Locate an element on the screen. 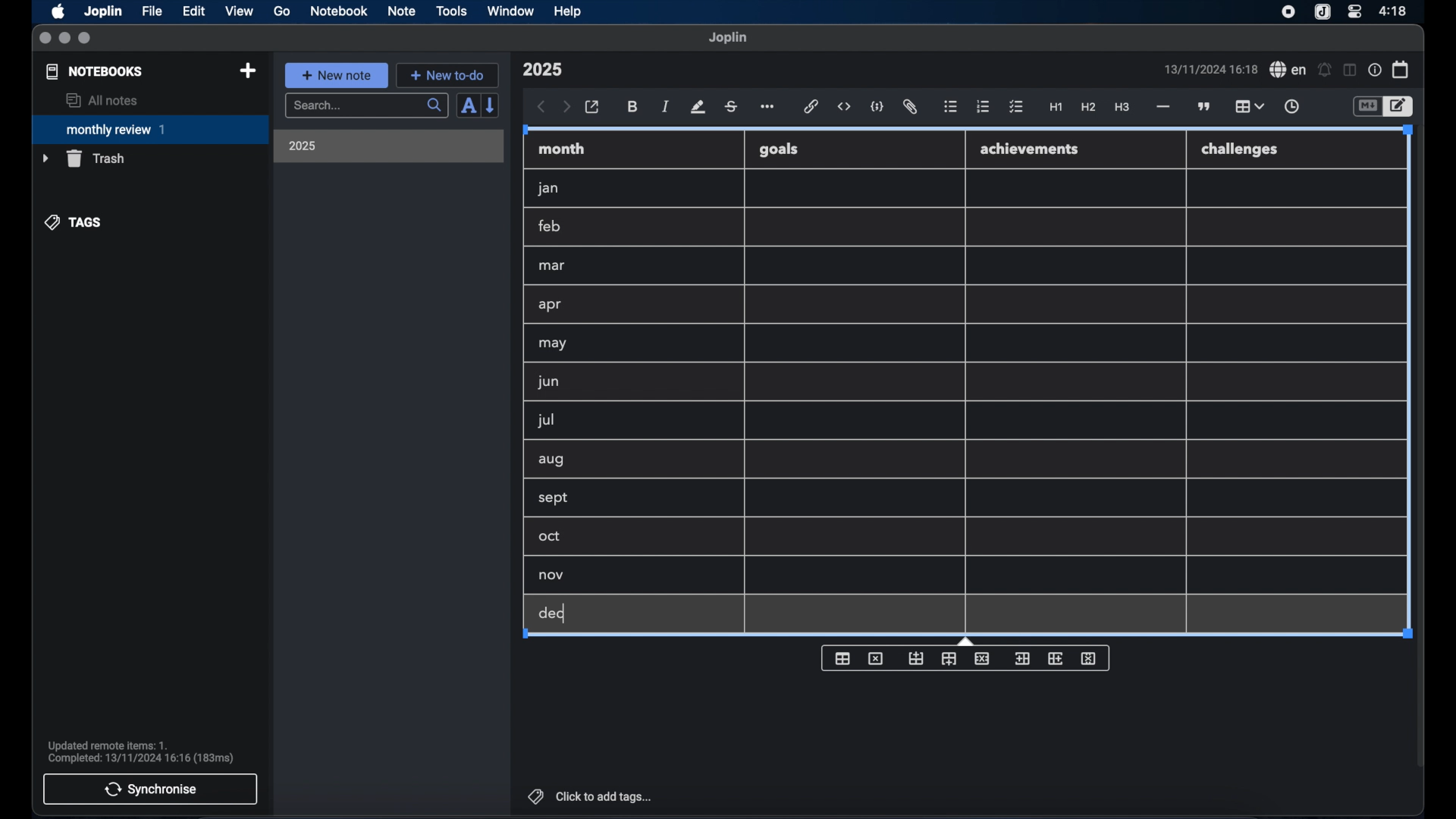  tools is located at coordinates (451, 11).